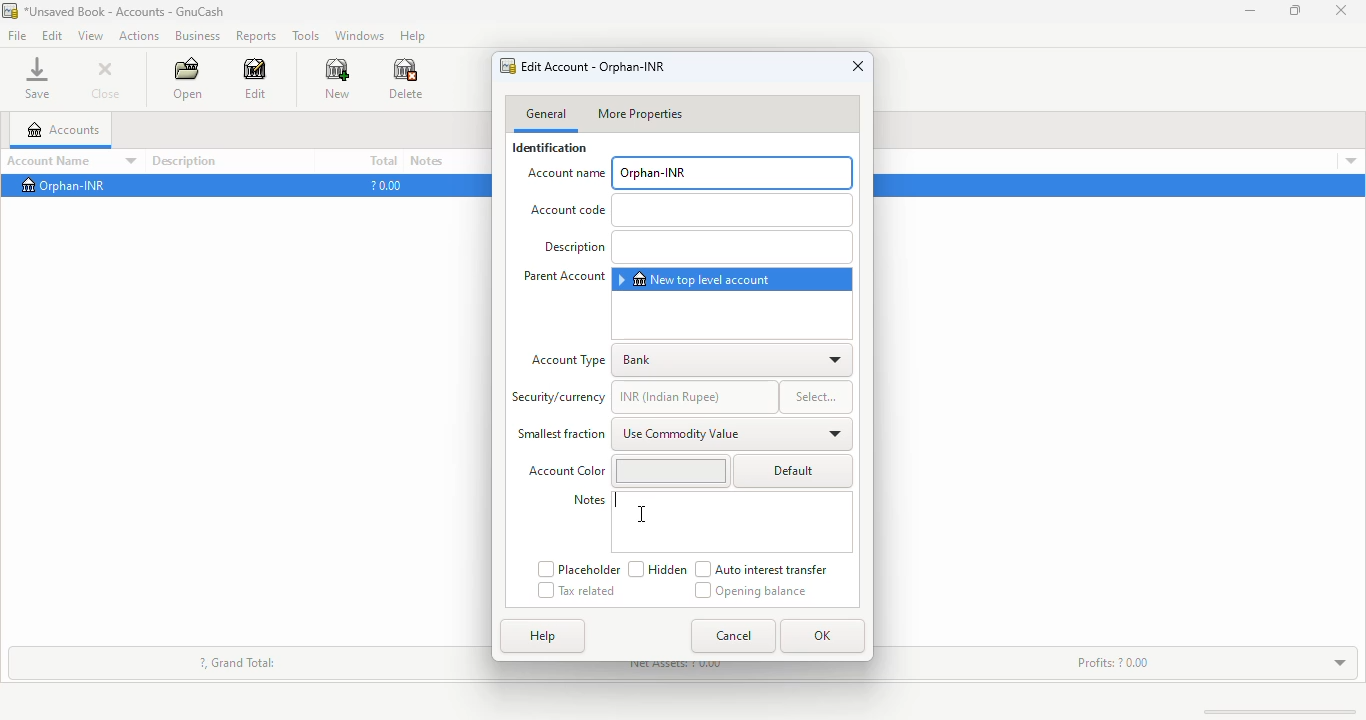 This screenshot has width=1366, height=720. What do you see at coordinates (1340, 663) in the screenshot?
I see `toggle expand` at bounding box center [1340, 663].